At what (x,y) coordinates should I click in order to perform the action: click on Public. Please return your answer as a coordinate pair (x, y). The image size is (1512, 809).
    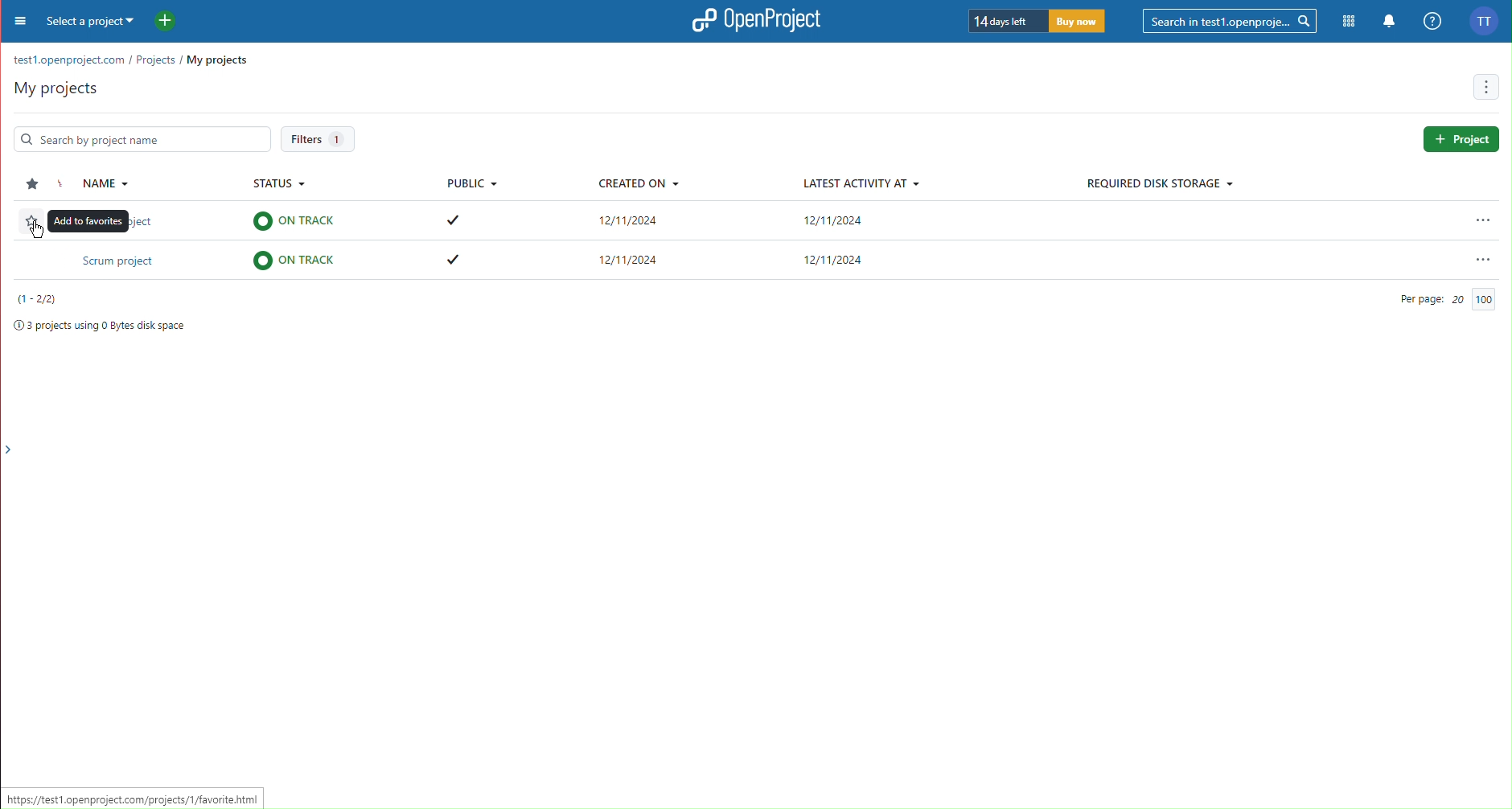
    Looking at the image, I should click on (471, 184).